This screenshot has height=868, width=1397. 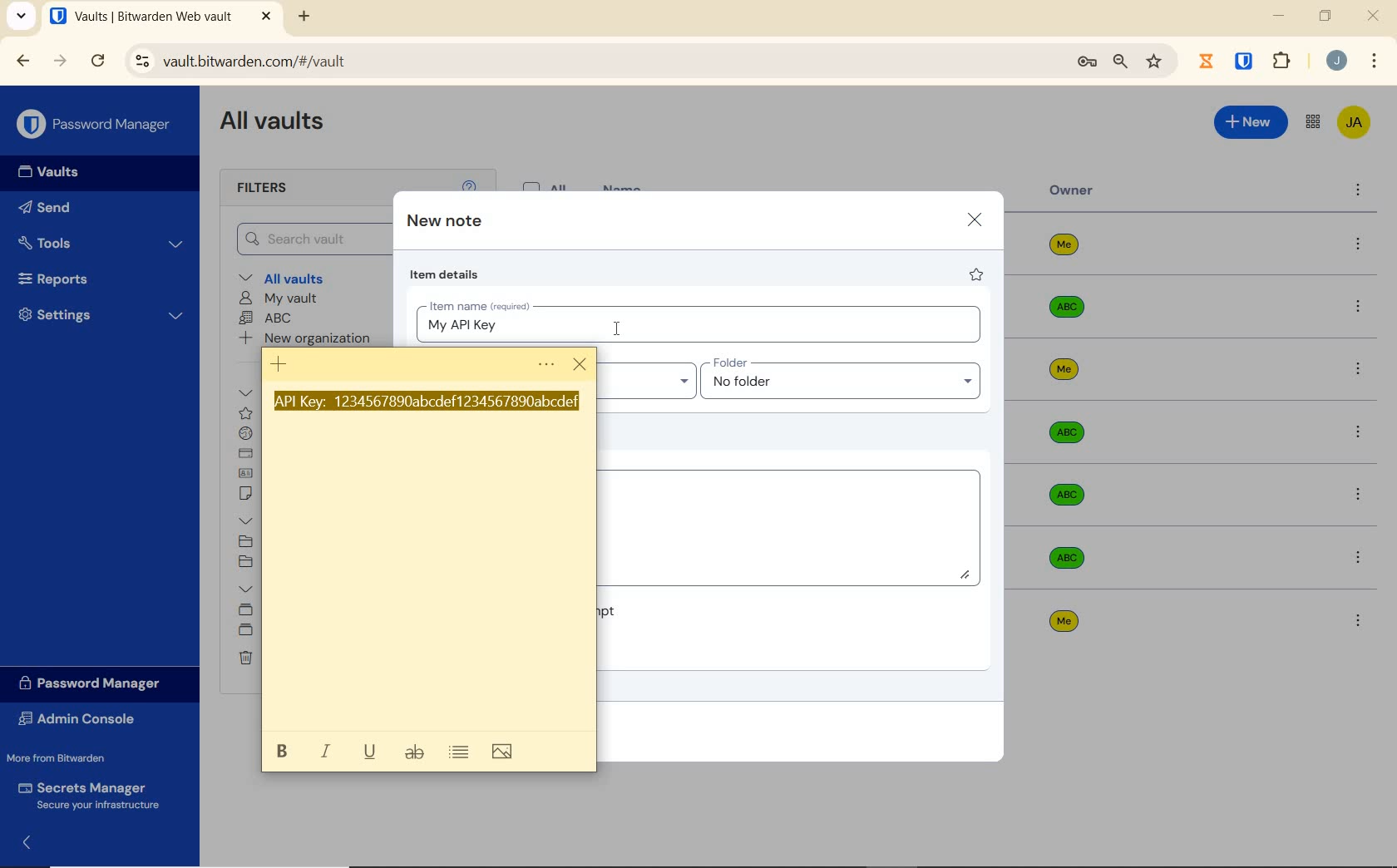 I want to click on extensions, so click(x=1284, y=60).